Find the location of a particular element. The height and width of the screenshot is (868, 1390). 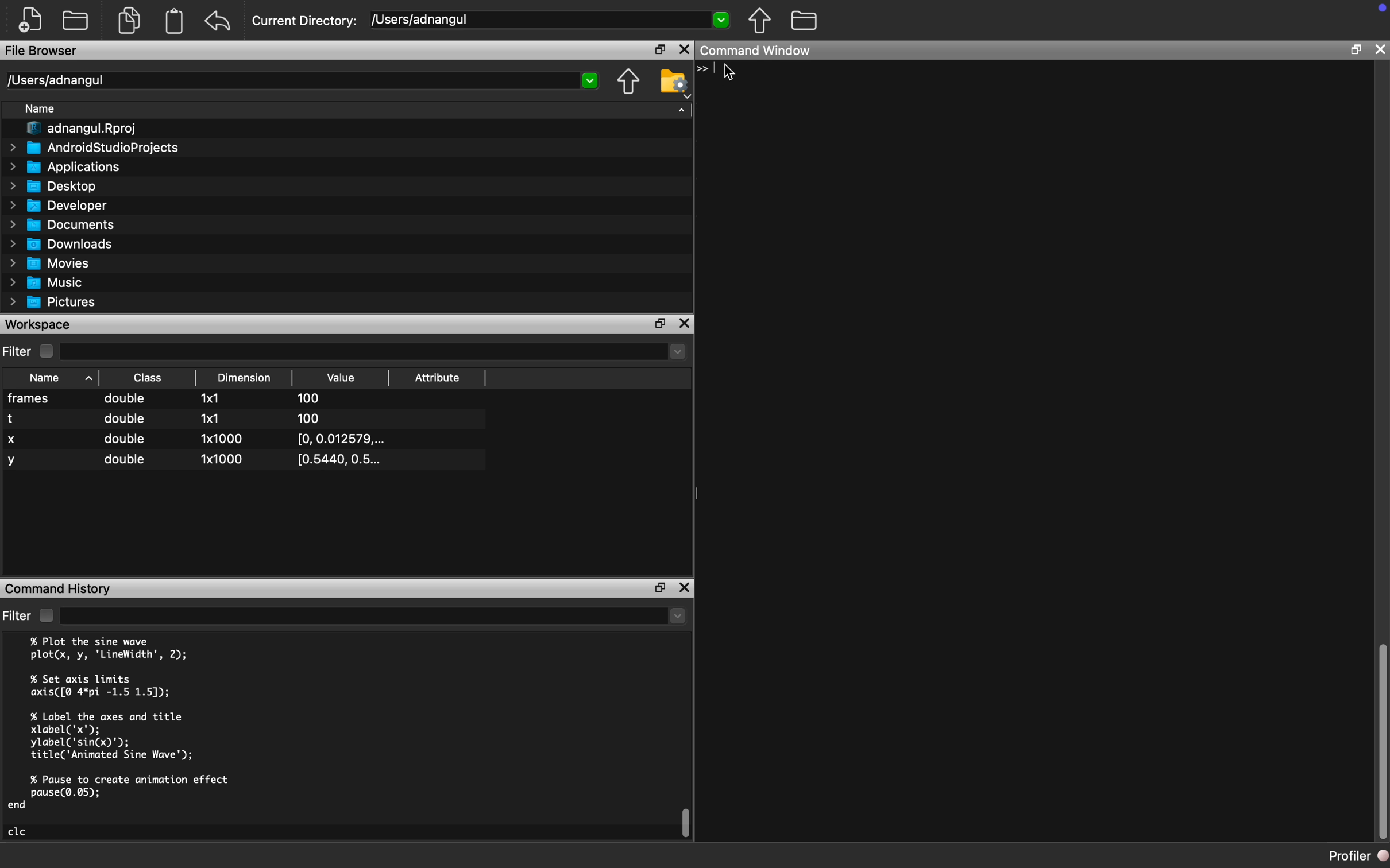

File Browser is located at coordinates (43, 52).